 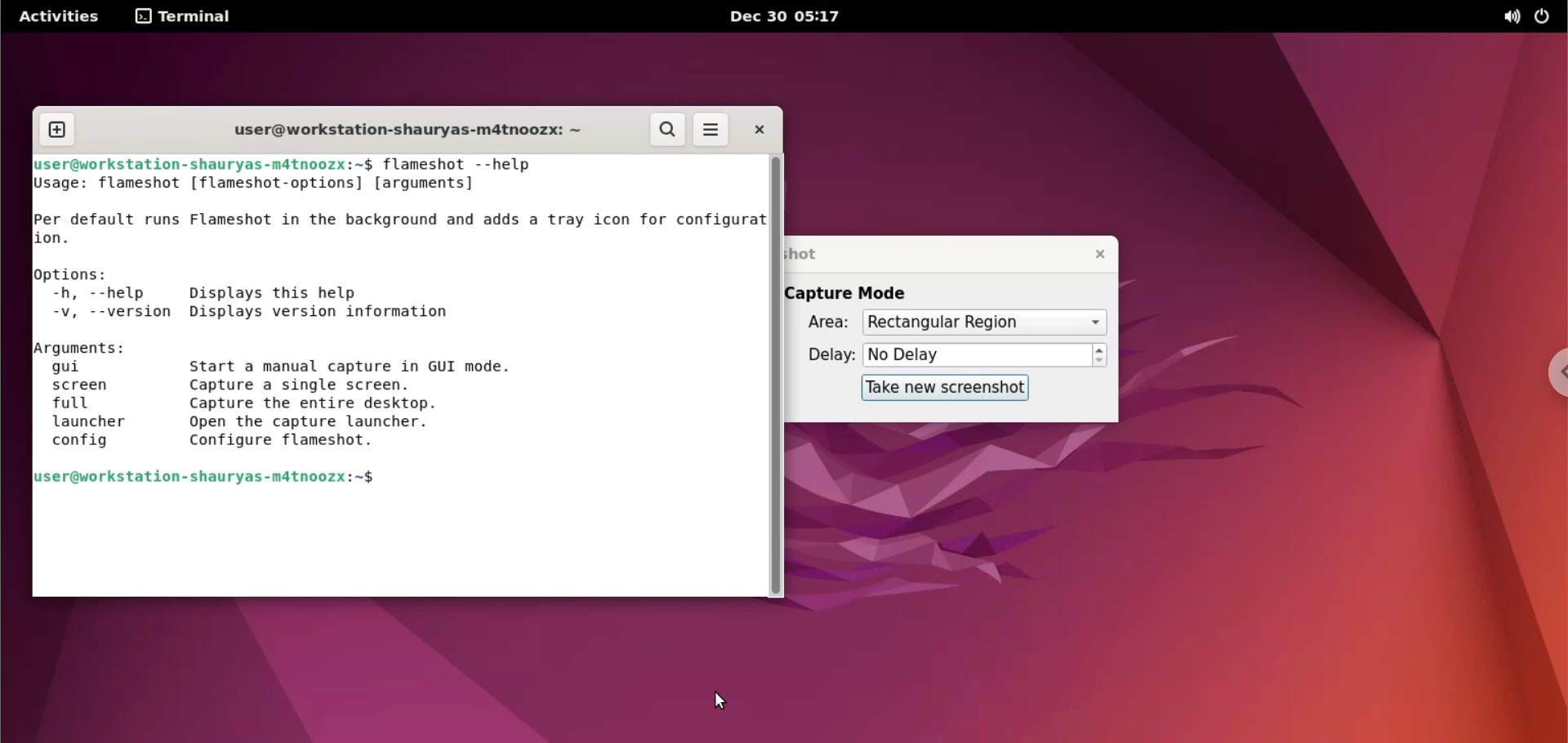 What do you see at coordinates (354, 424) in the screenshot?
I see `open the capture launcher` at bounding box center [354, 424].